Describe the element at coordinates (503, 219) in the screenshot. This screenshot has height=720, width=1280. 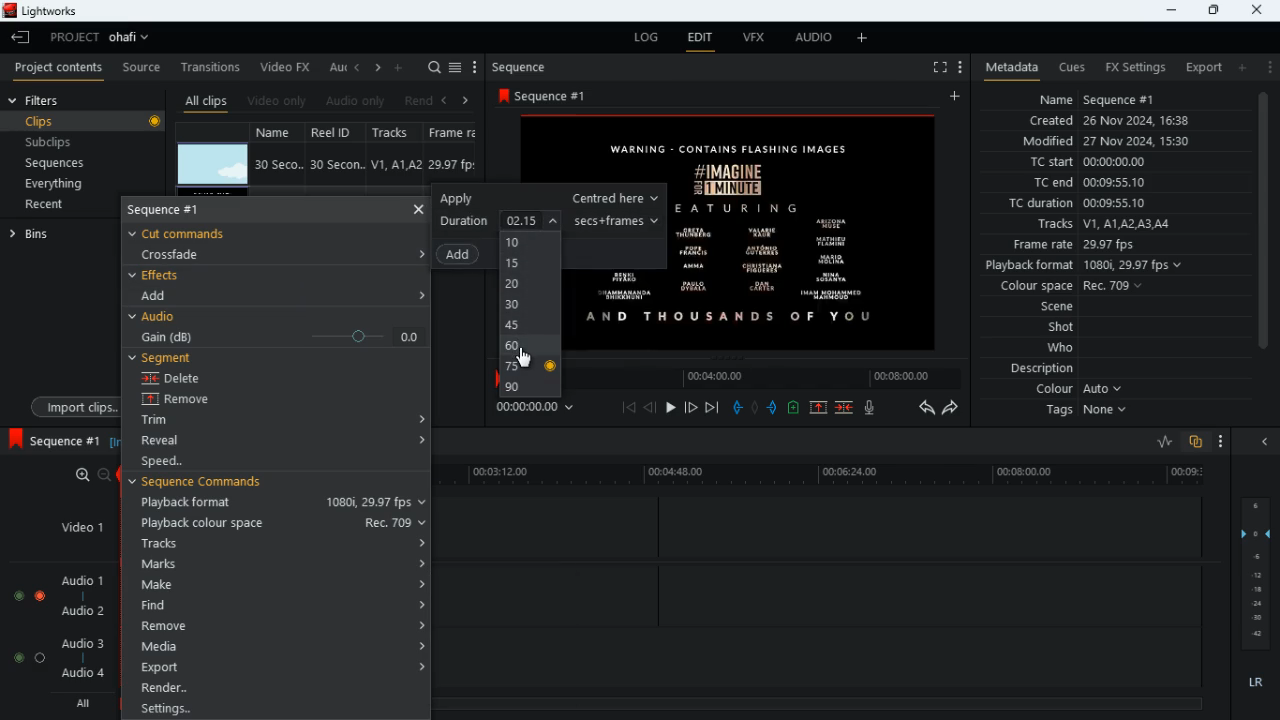
I see `duration` at that location.